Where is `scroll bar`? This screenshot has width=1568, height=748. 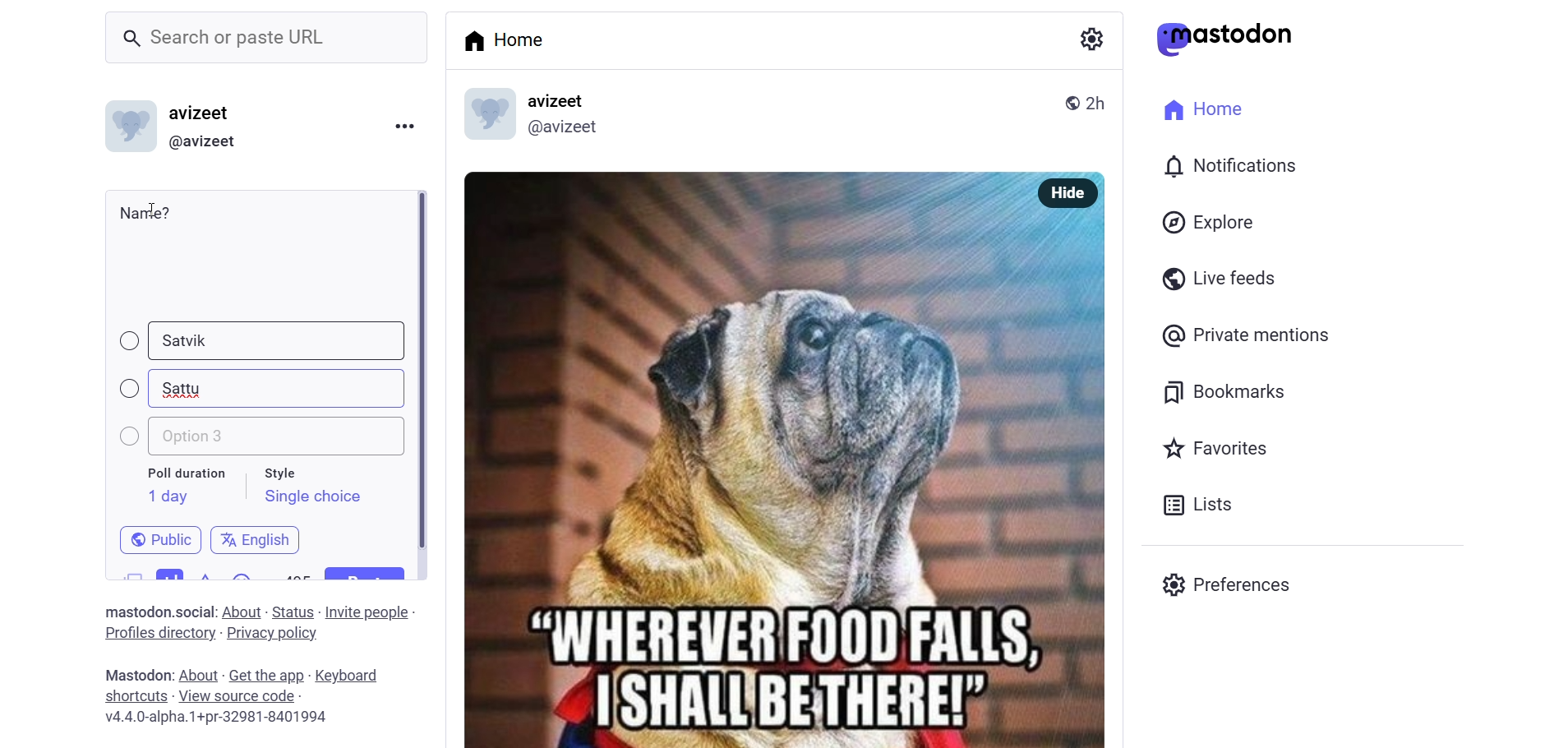
scroll bar is located at coordinates (422, 370).